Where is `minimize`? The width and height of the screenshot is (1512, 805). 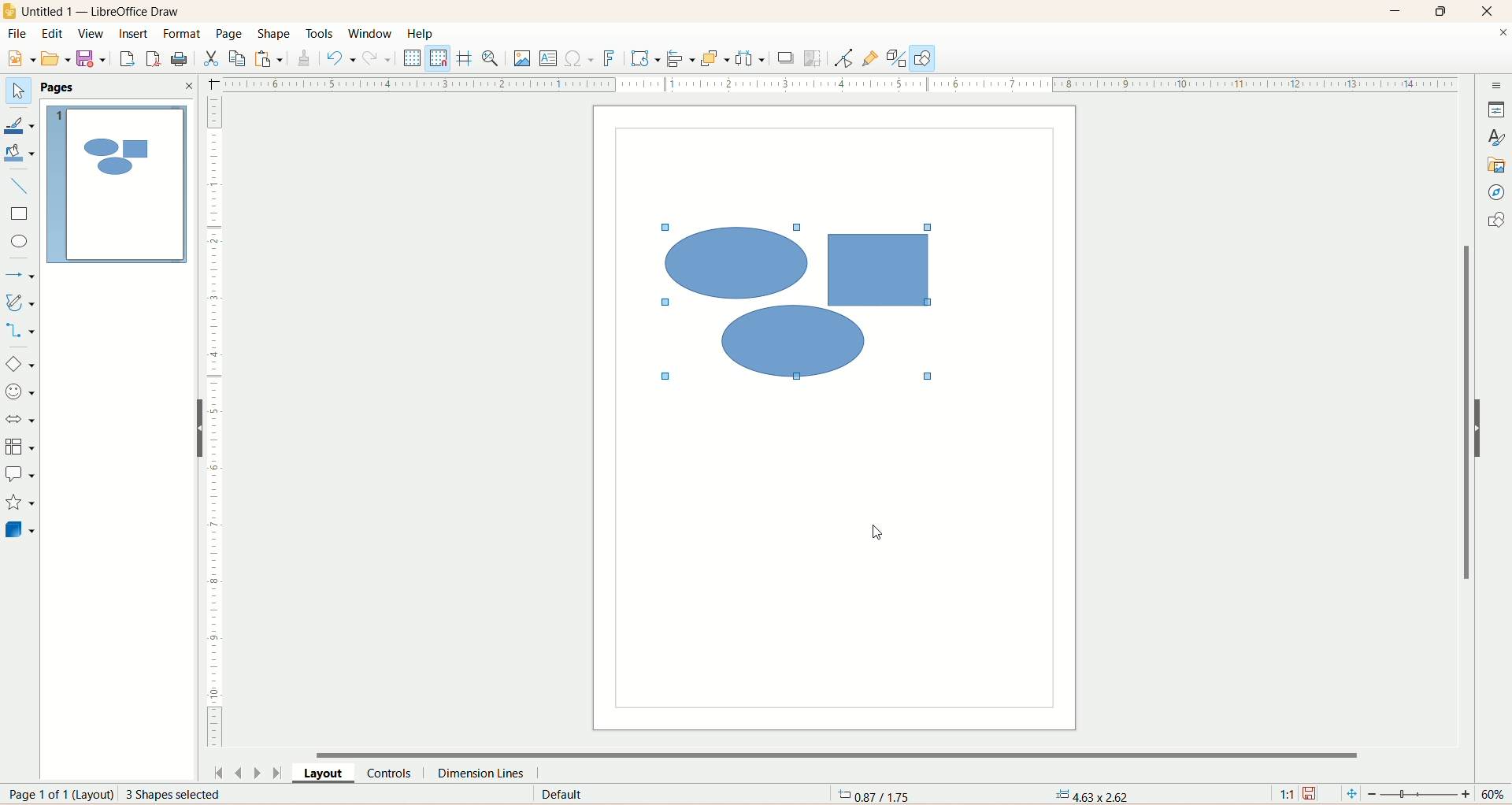
minimize is located at coordinates (1398, 11).